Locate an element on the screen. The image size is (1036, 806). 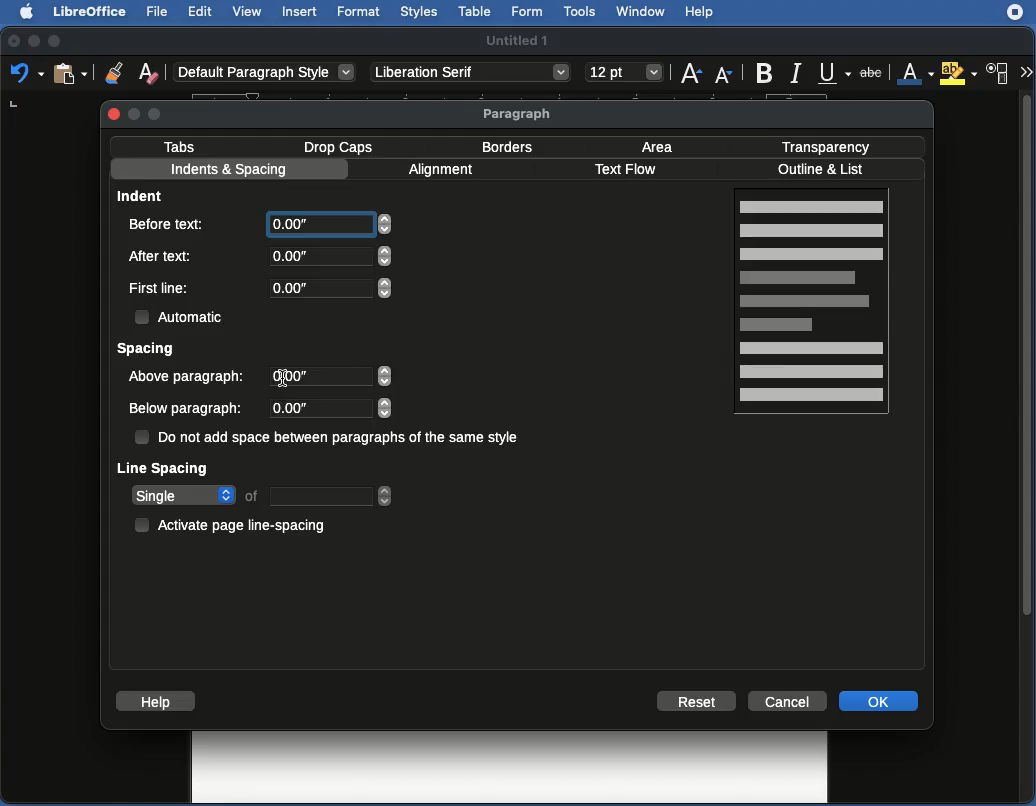
extensions is located at coordinates (1017, 20).